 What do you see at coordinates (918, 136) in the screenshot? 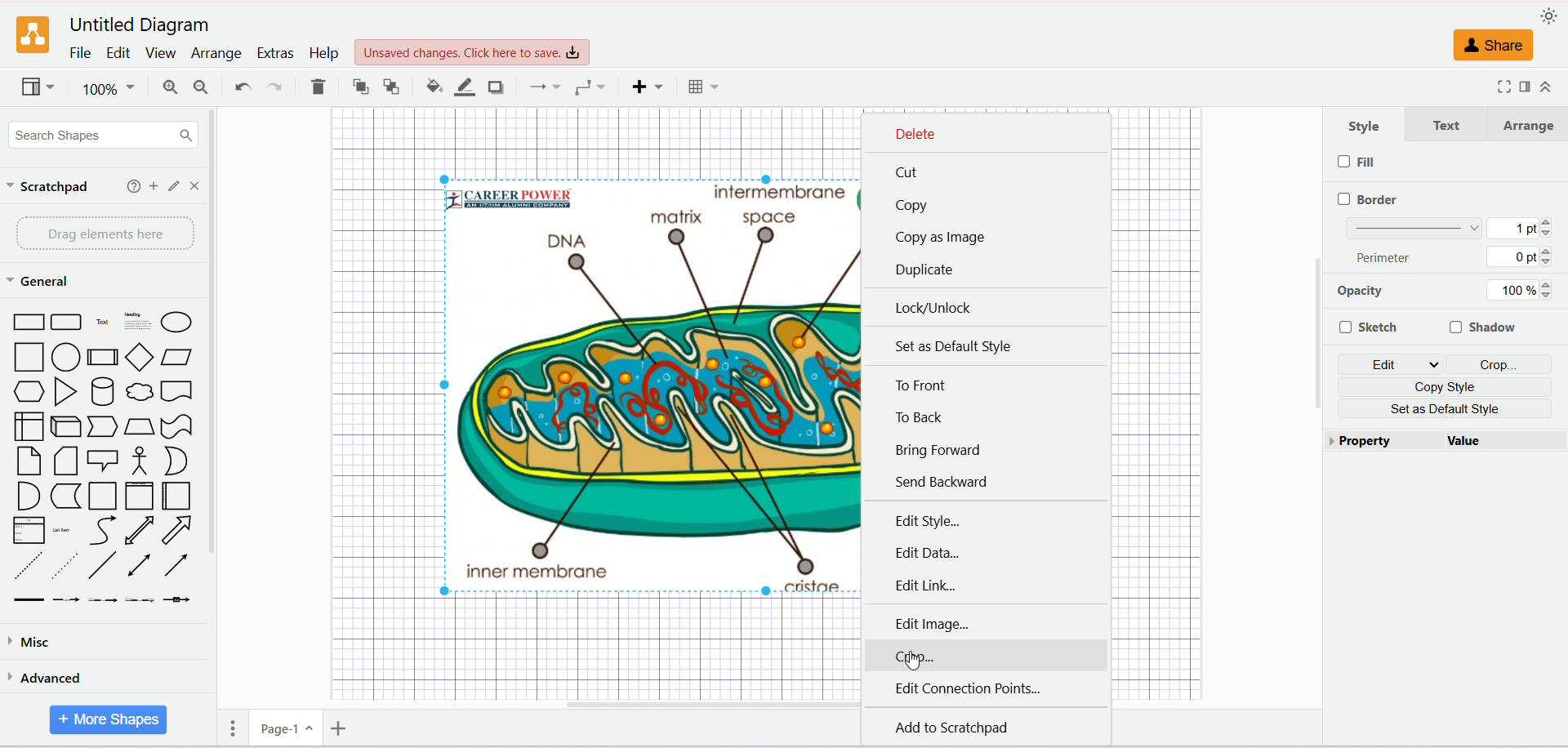
I see `delete` at bounding box center [918, 136].